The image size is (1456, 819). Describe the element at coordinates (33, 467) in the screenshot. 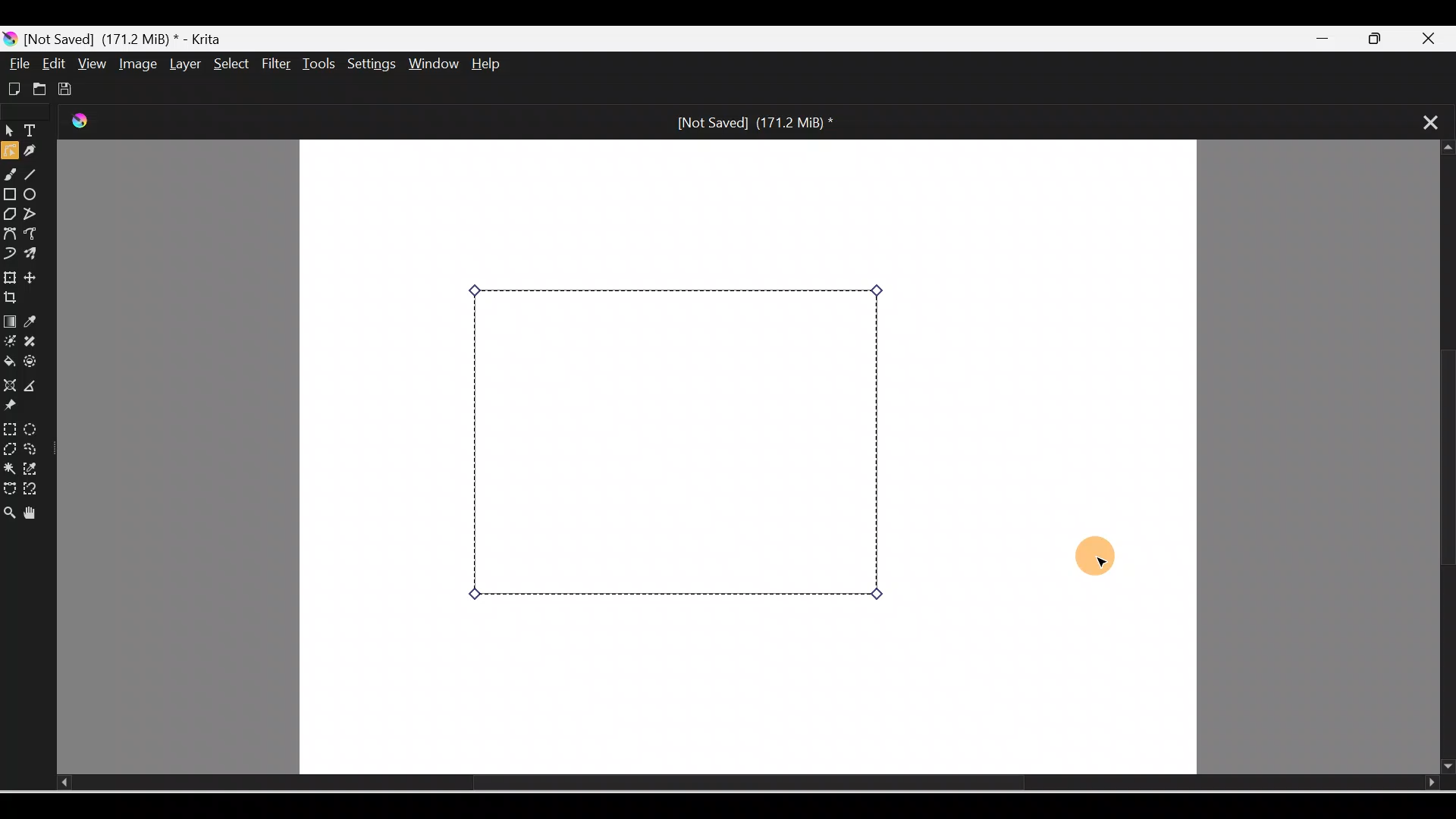

I see `Similar color selection tool` at that location.